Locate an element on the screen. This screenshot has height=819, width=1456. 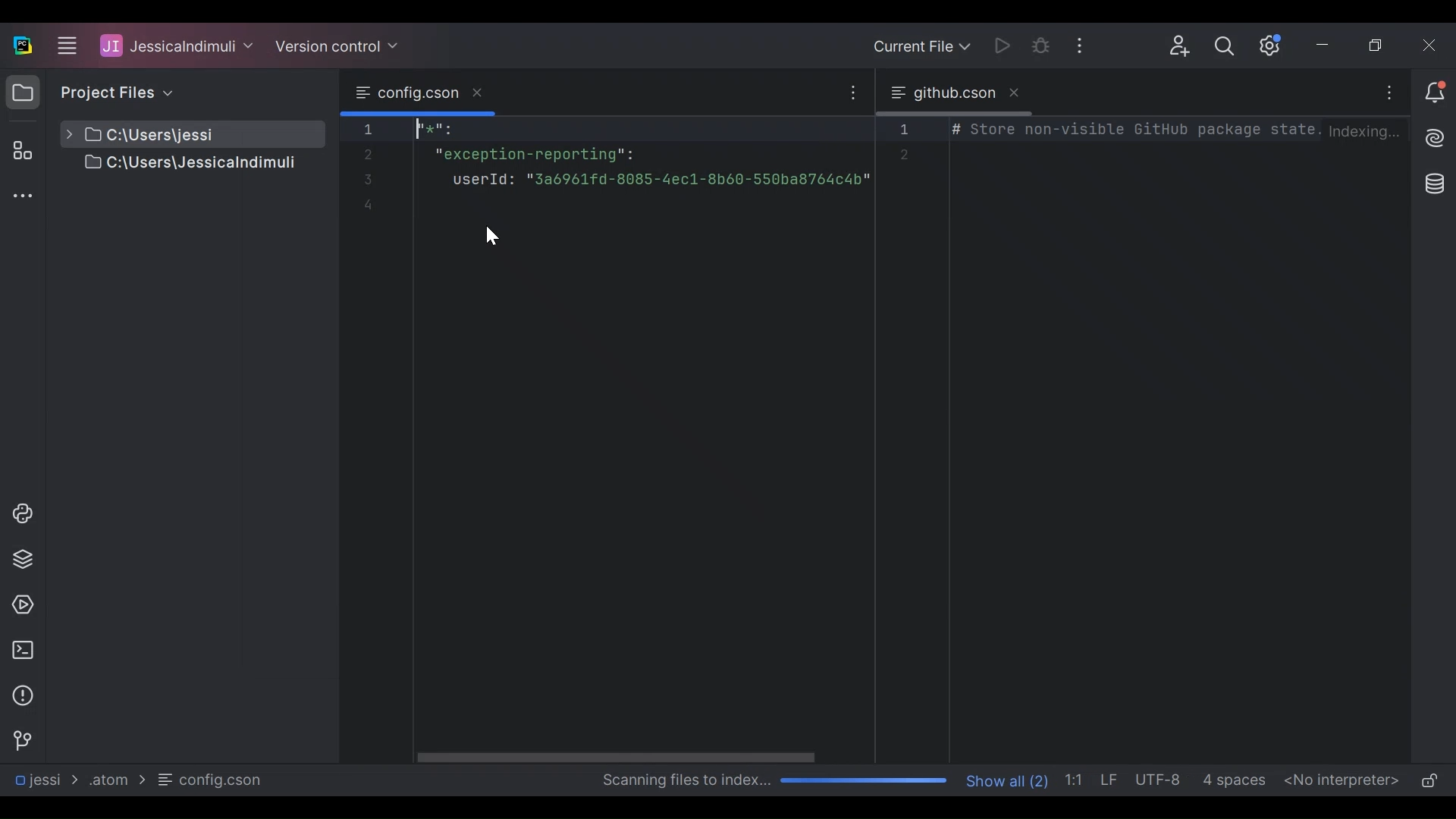
Current File is located at coordinates (921, 46).